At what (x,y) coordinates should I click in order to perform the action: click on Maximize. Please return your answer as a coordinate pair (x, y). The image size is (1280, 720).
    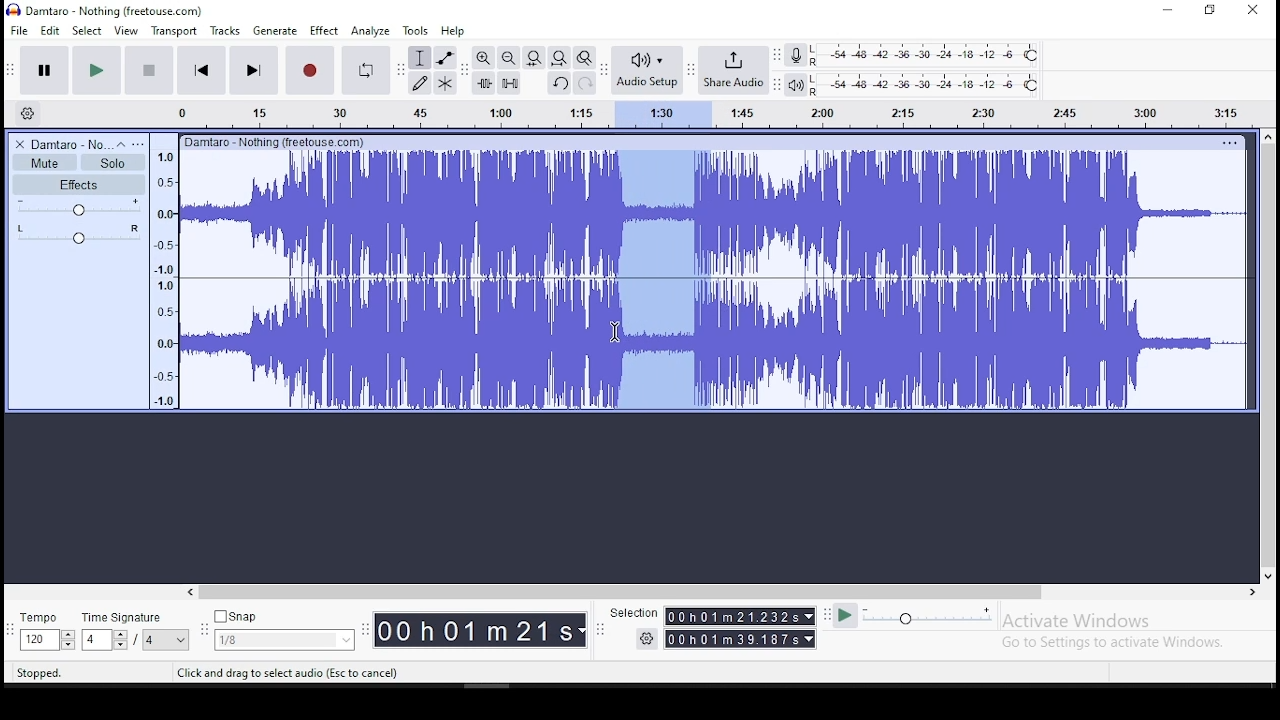
    Looking at the image, I should click on (1210, 10).